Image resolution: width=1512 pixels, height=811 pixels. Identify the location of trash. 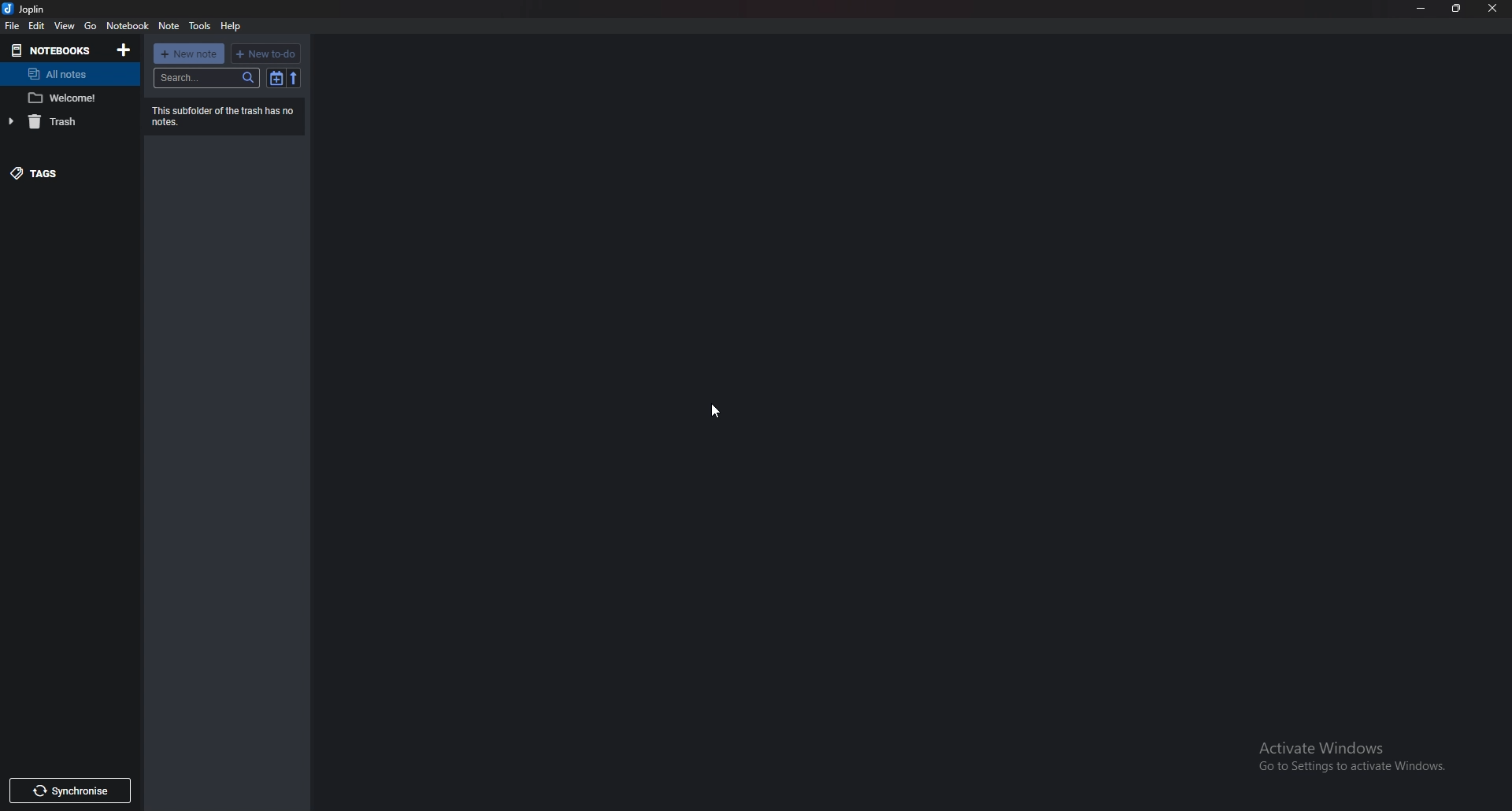
(70, 121).